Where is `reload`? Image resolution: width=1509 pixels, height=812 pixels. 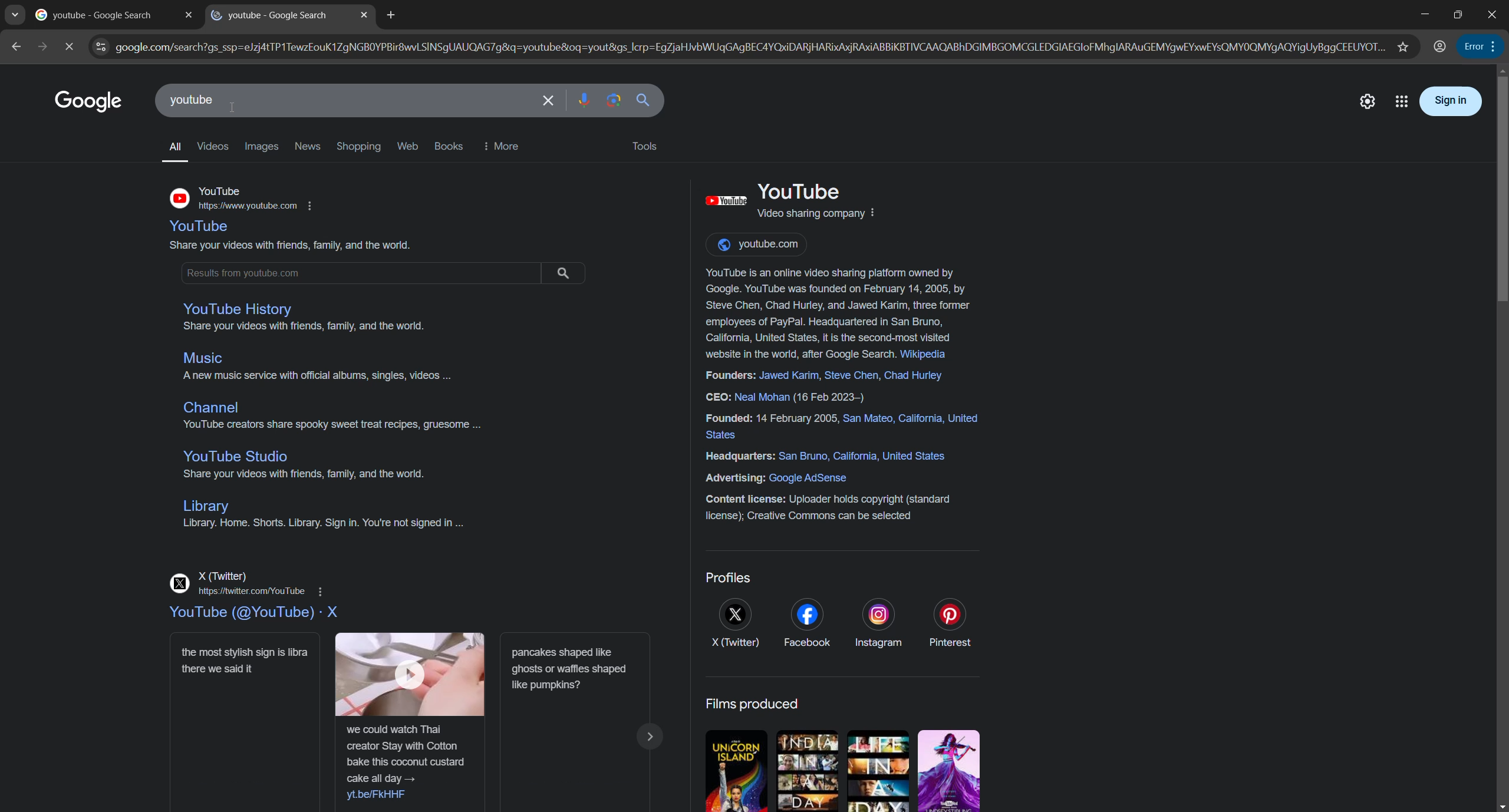
reload is located at coordinates (70, 46).